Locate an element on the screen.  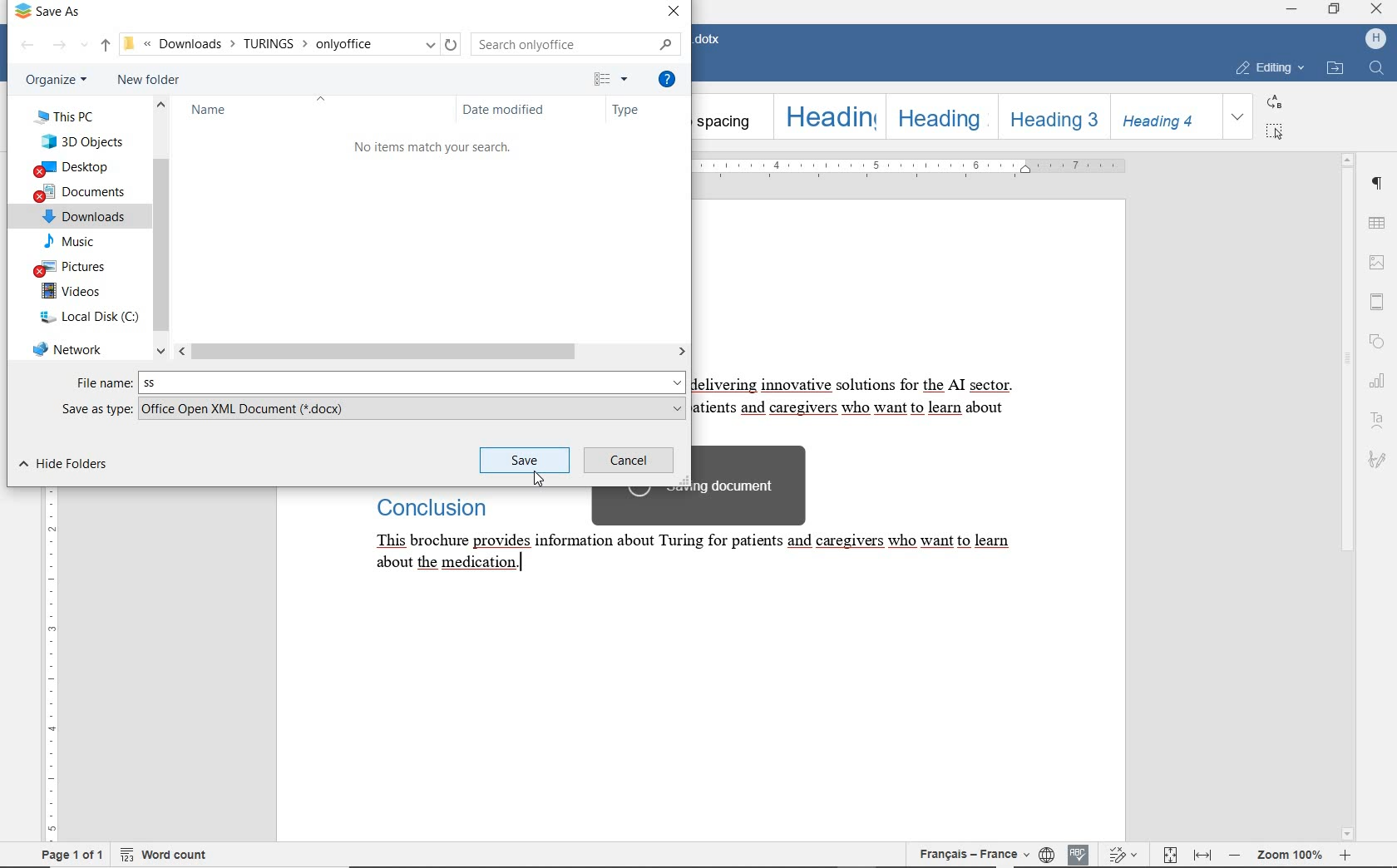
text is located at coordinates (521, 559).